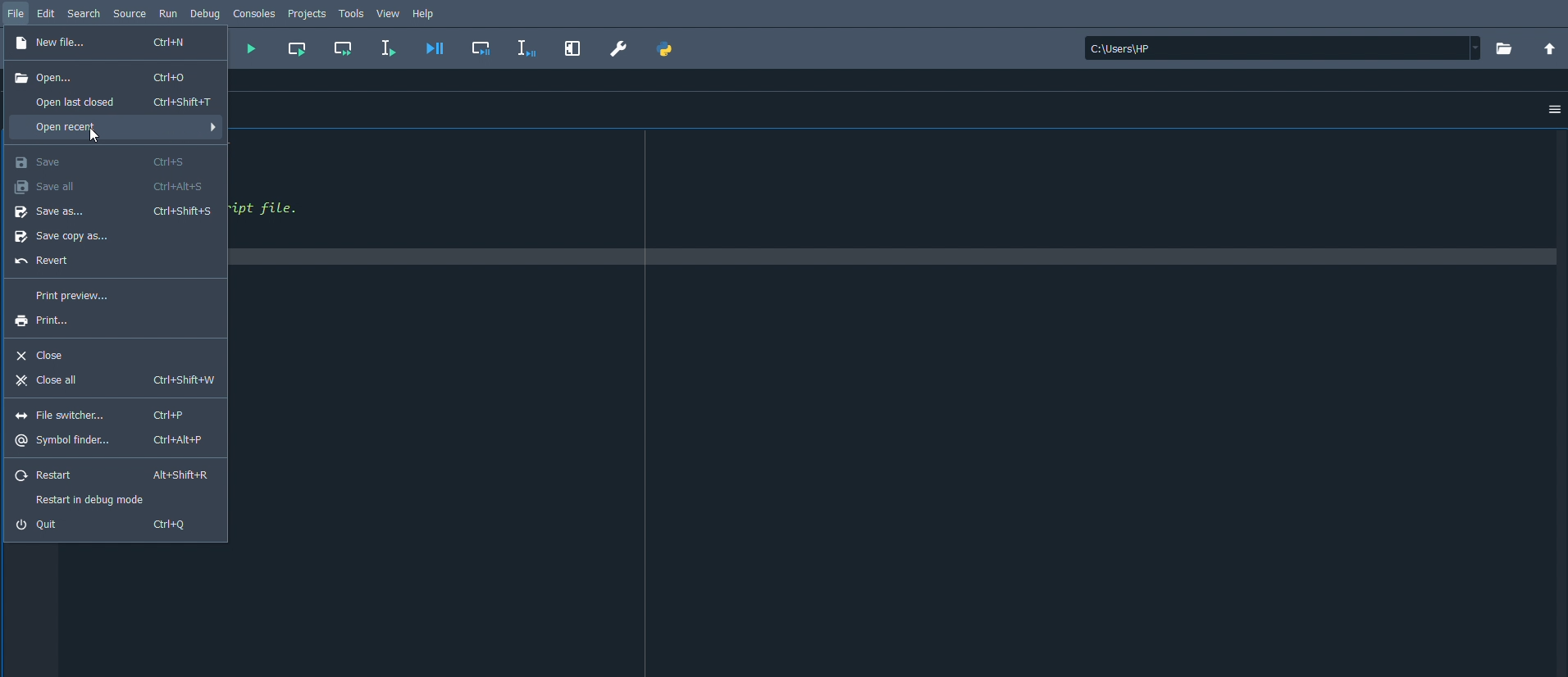  I want to click on Source, so click(133, 12).